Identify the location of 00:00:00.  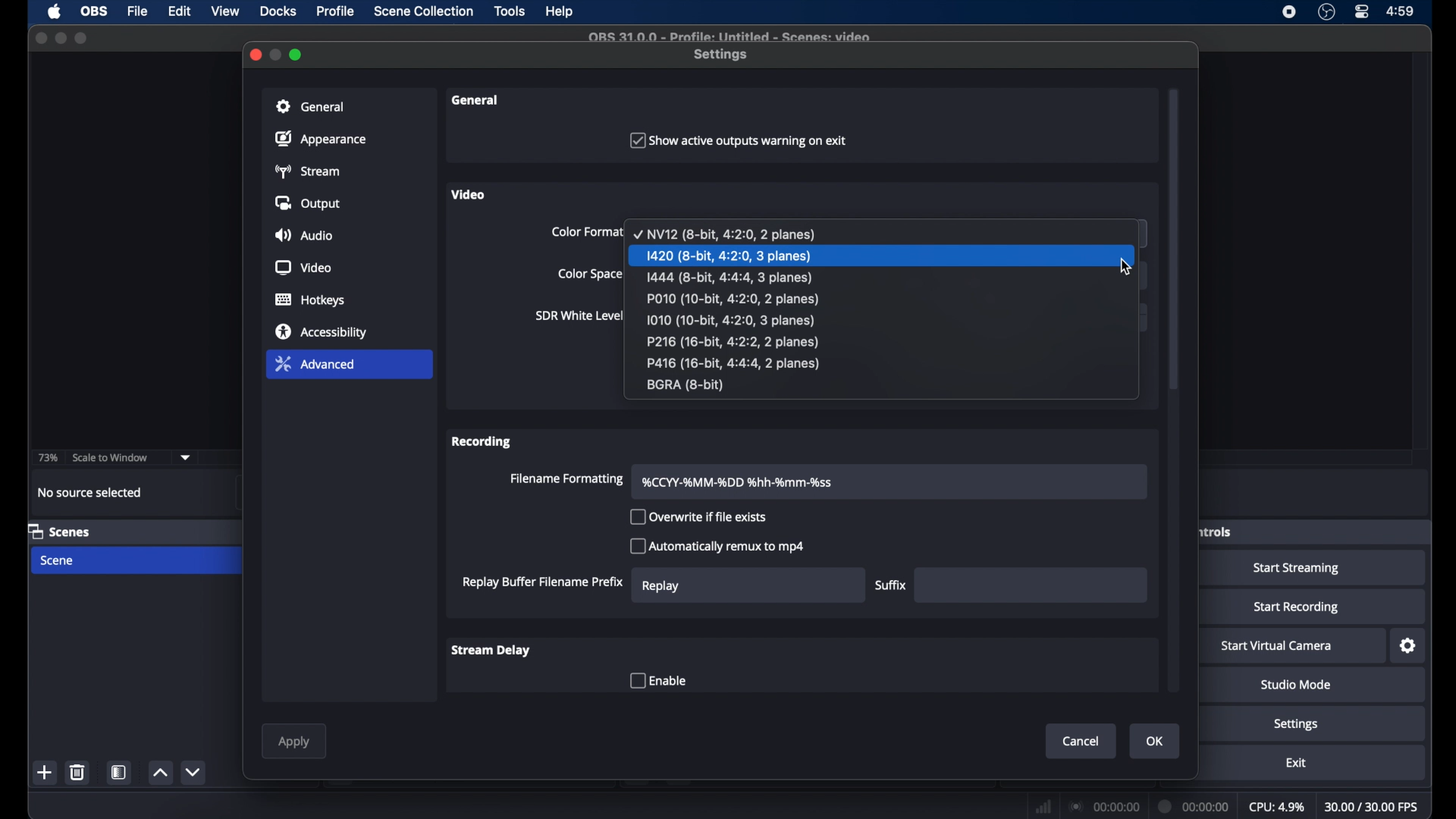
(1104, 806).